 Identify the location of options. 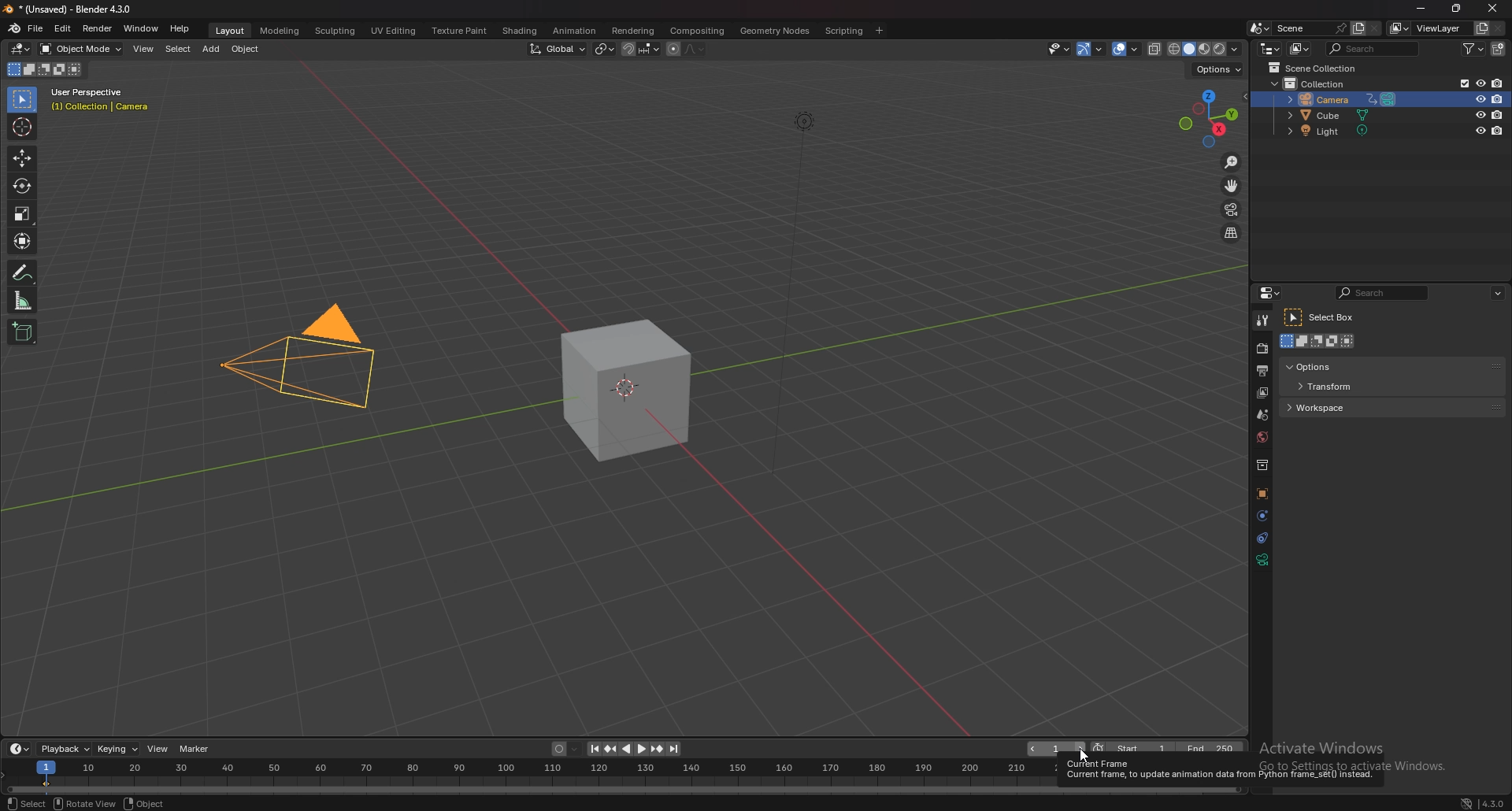
(1219, 69).